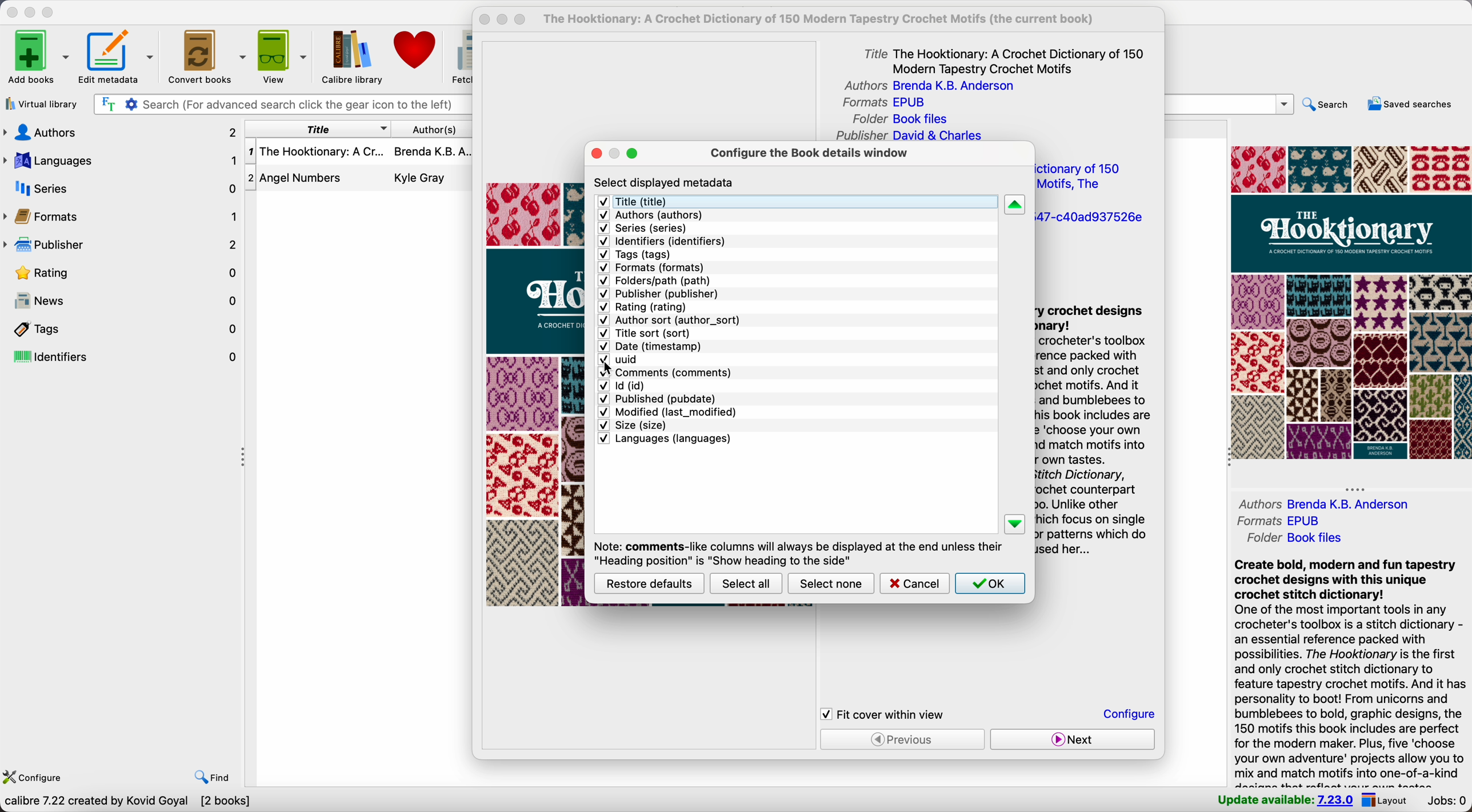  What do you see at coordinates (537, 394) in the screenshot?
I see `book cover preview` at bounding box center [537, 394].